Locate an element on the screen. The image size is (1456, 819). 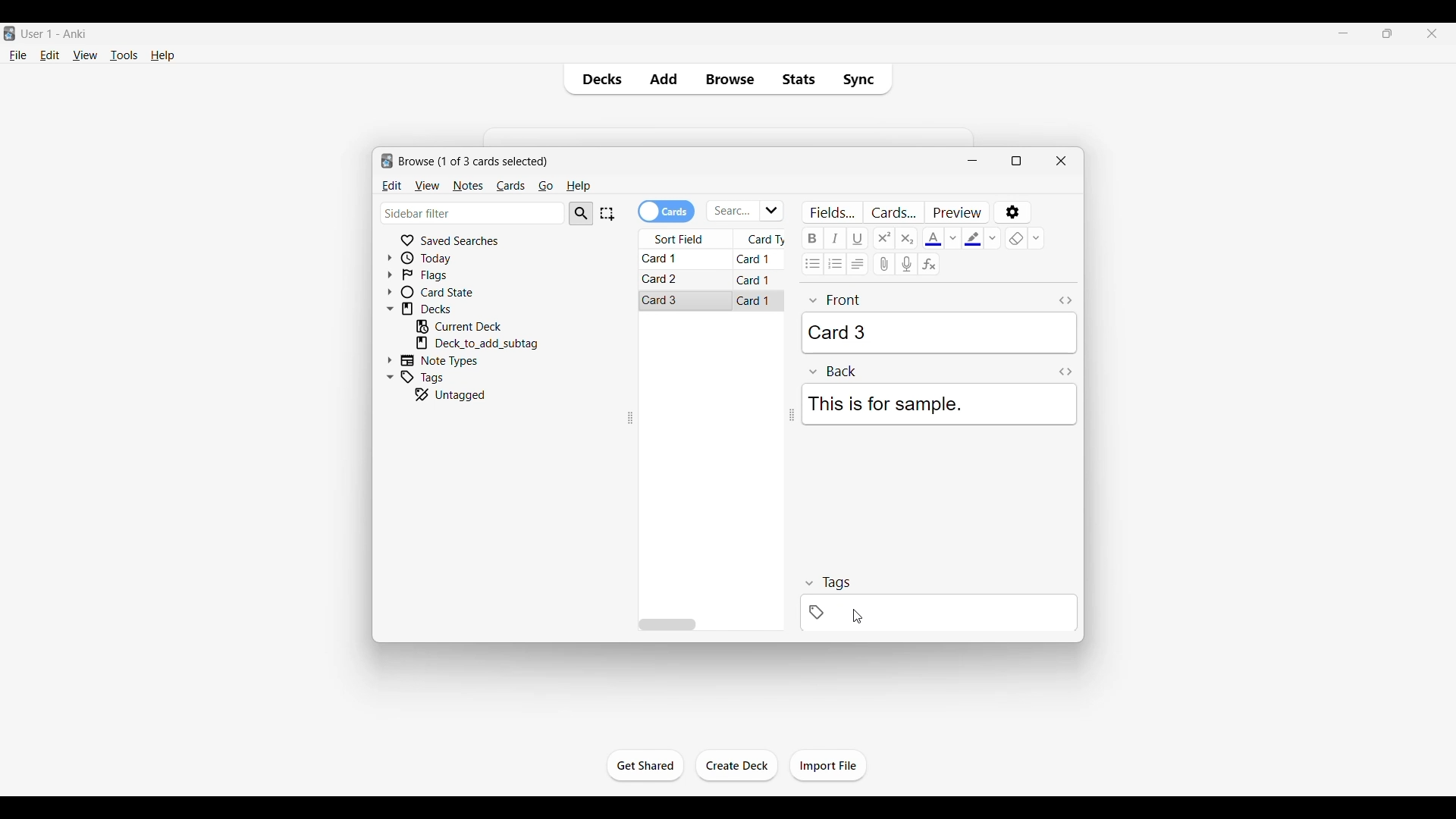
Click to expand card state is located at coordinates (390, 292).